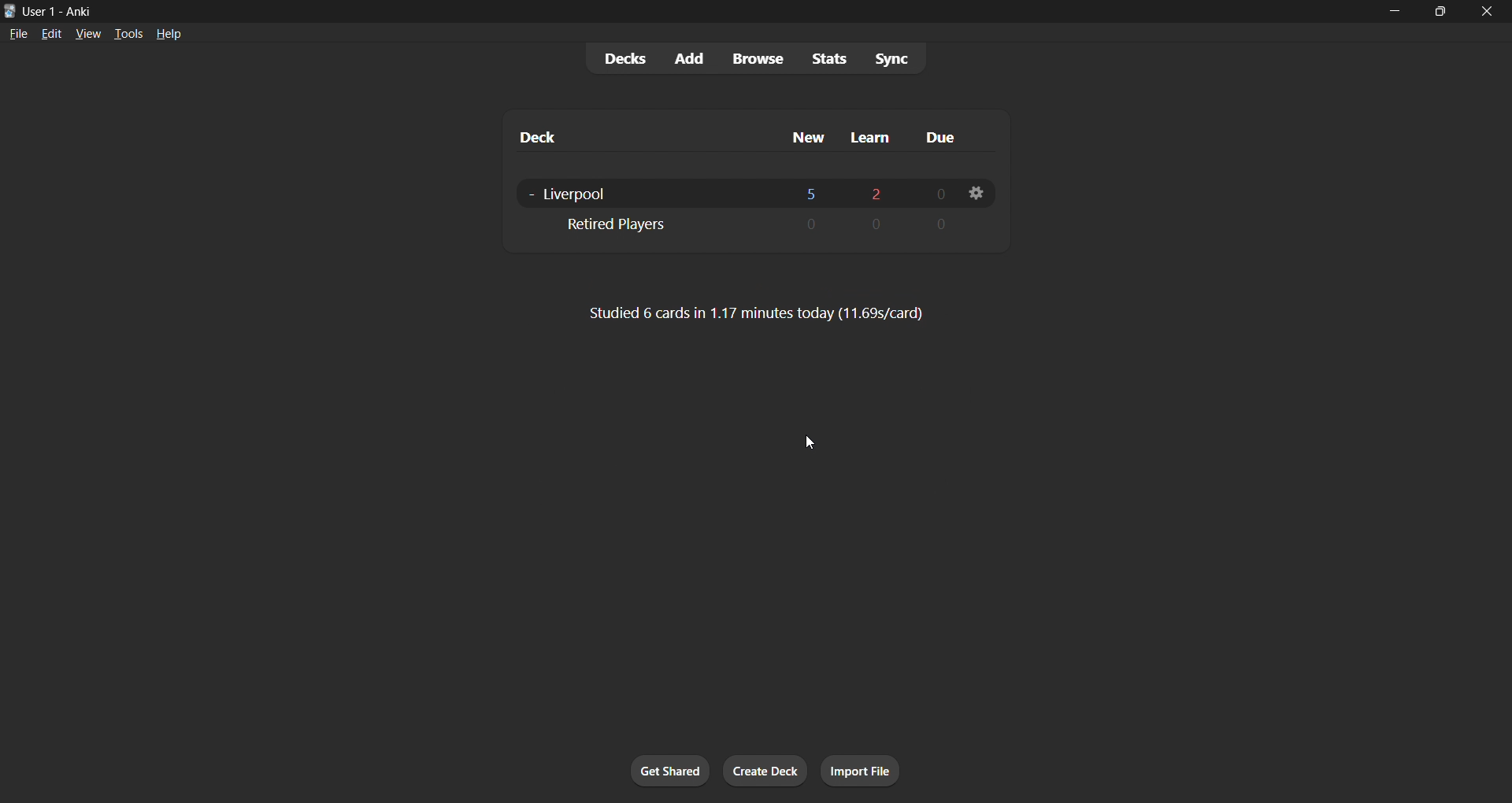  Describe the element at coordinates (765, 768) in the screenshot. I see `create deck` at that location.